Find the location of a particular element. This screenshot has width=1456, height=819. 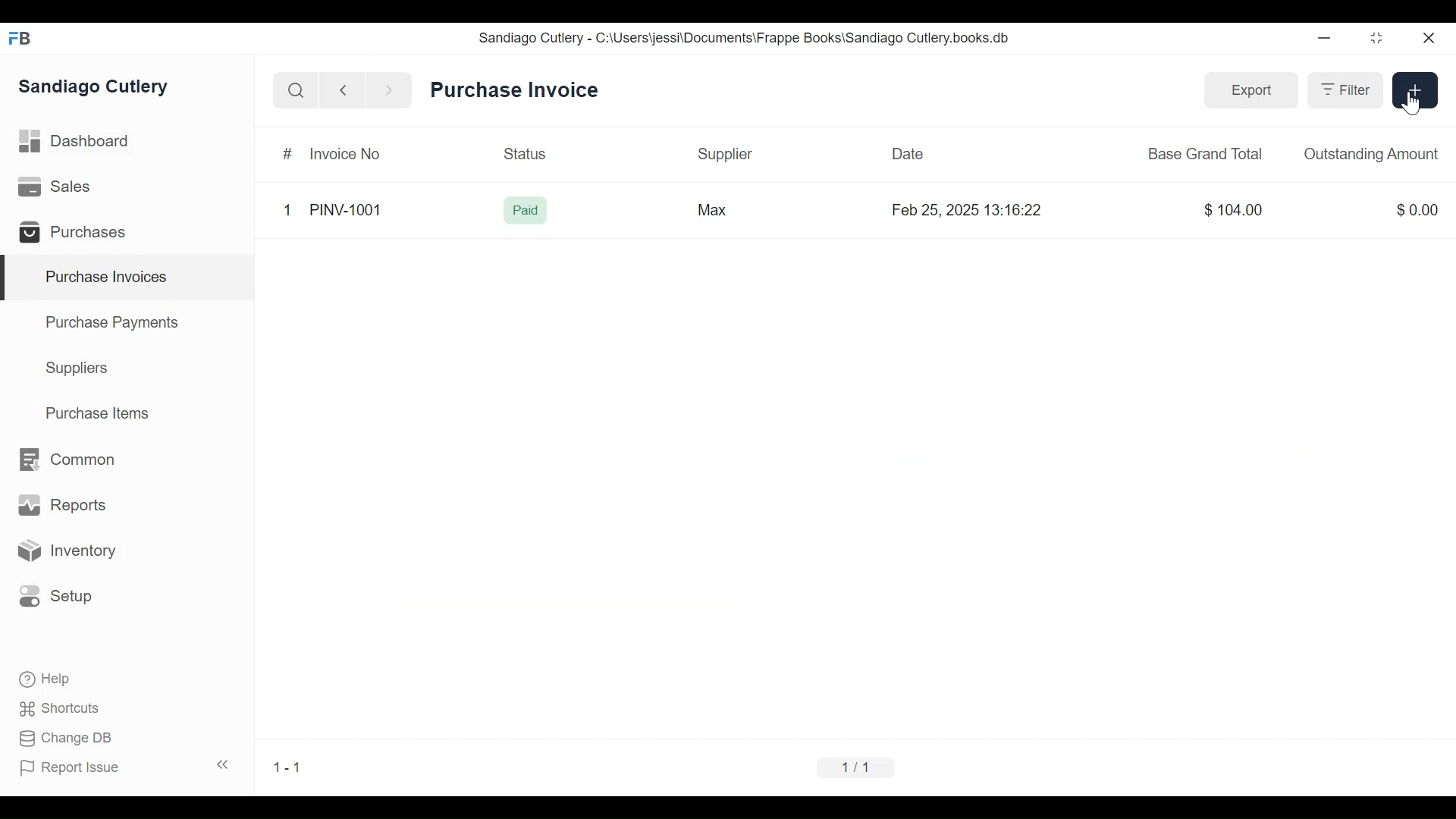

Purchase Invoice is located at coordinates (516, 91).